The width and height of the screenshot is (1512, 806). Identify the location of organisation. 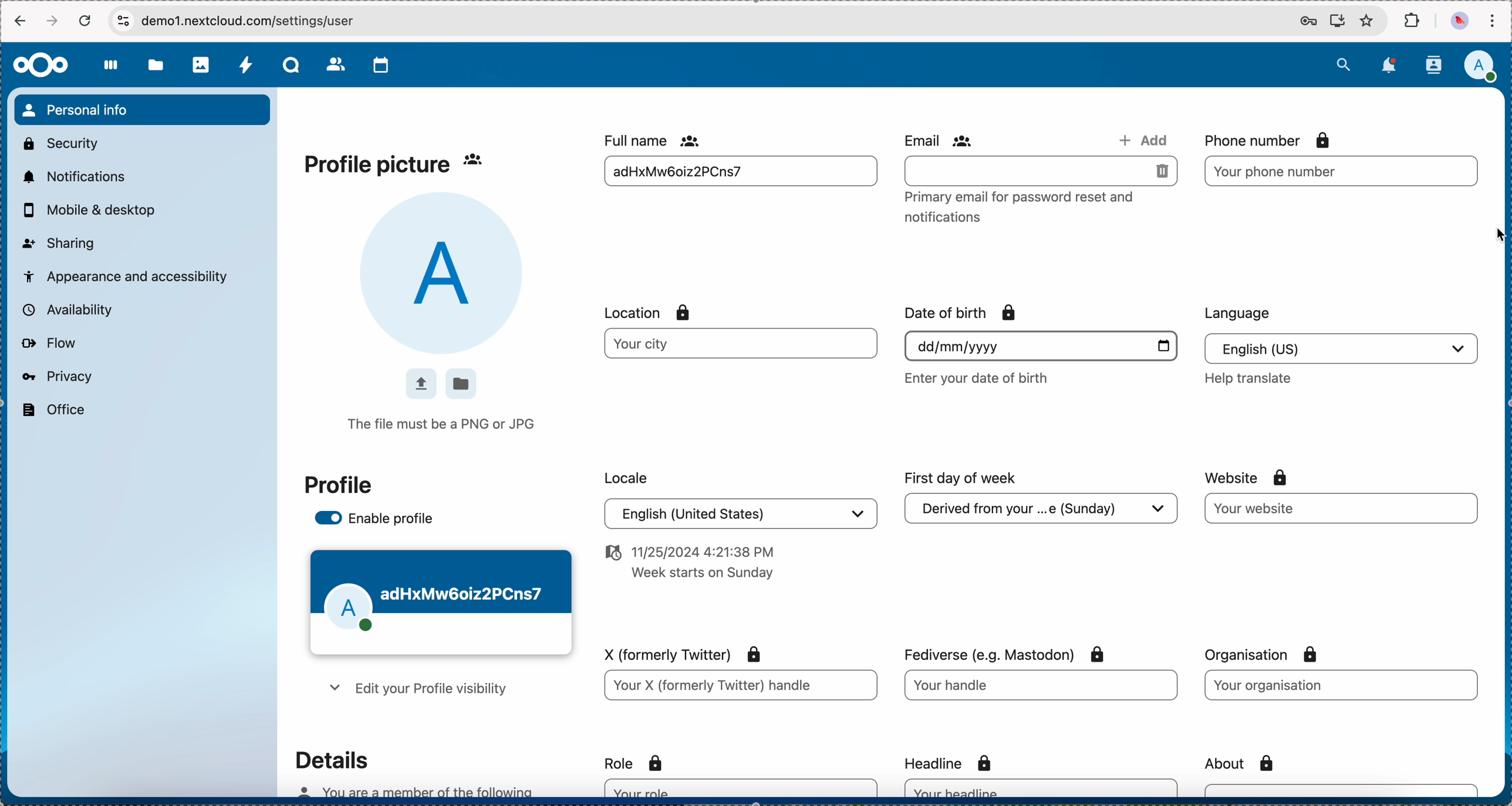
(1265, 654).